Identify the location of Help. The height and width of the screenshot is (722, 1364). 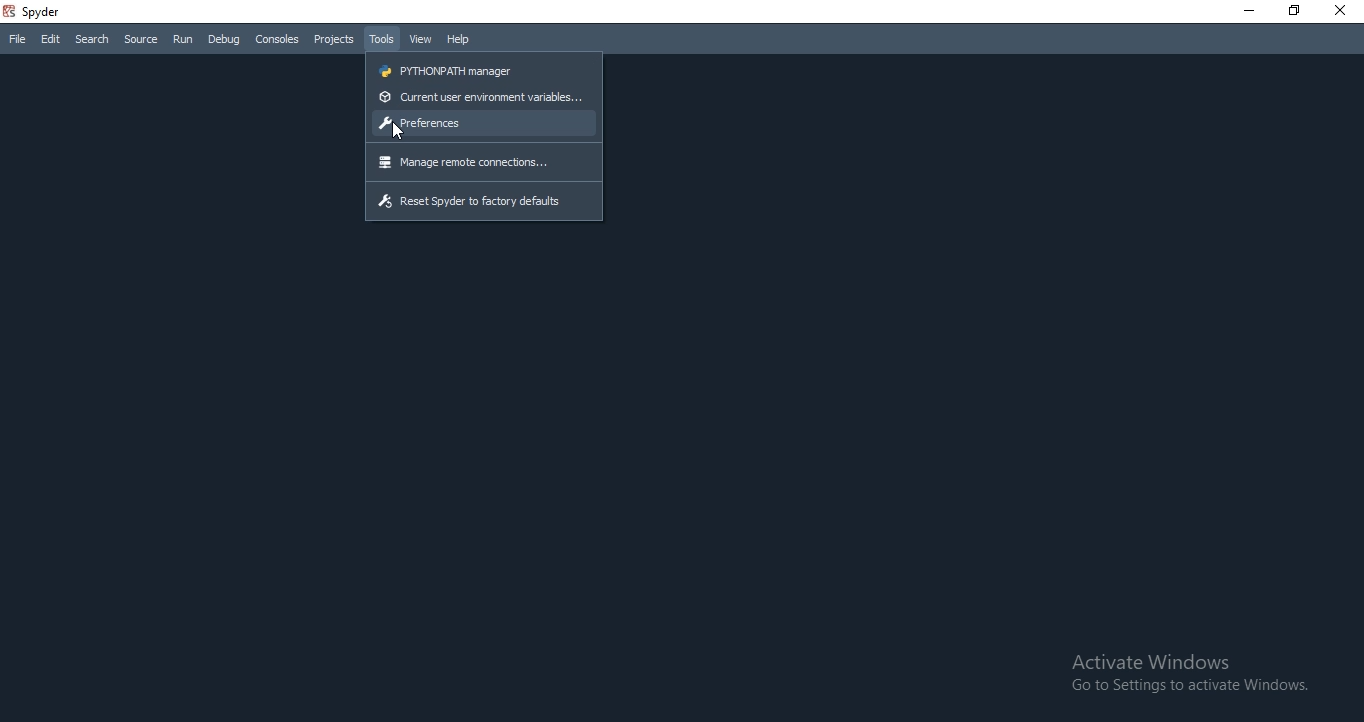
(459, 40).